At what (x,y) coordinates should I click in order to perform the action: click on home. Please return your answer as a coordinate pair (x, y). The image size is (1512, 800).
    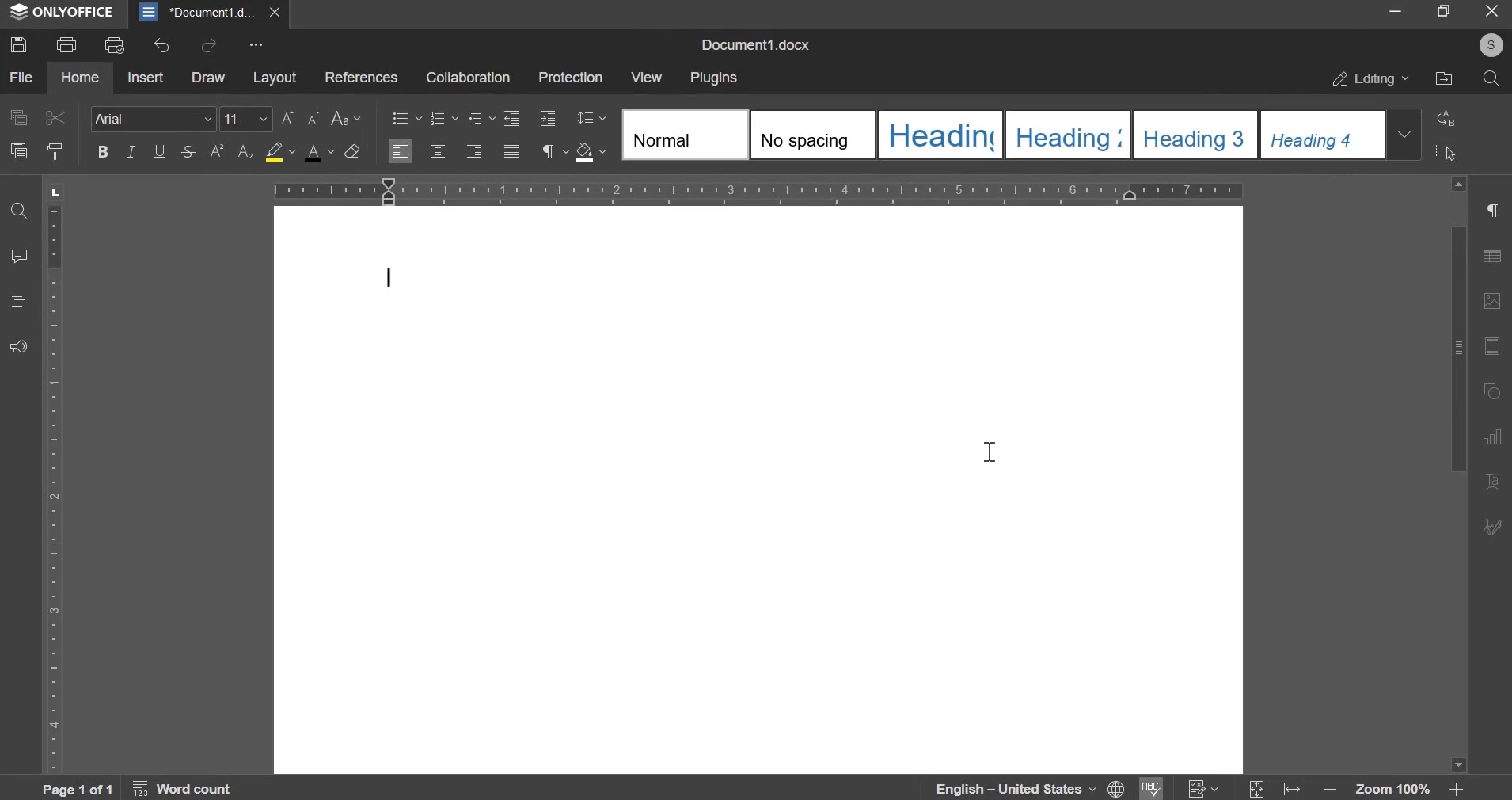
    Looking at the image, I should click on (82, 77).